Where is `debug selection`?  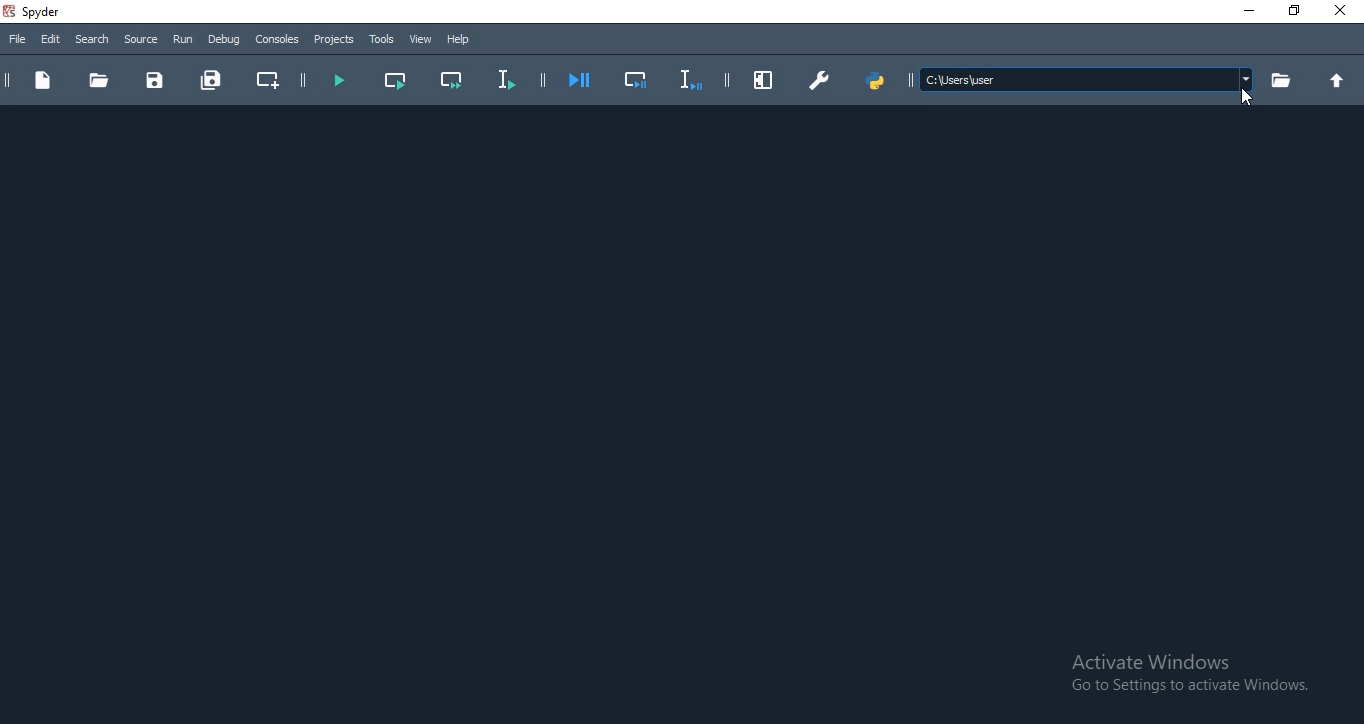
debug selection is located at coordinates (688, 80).